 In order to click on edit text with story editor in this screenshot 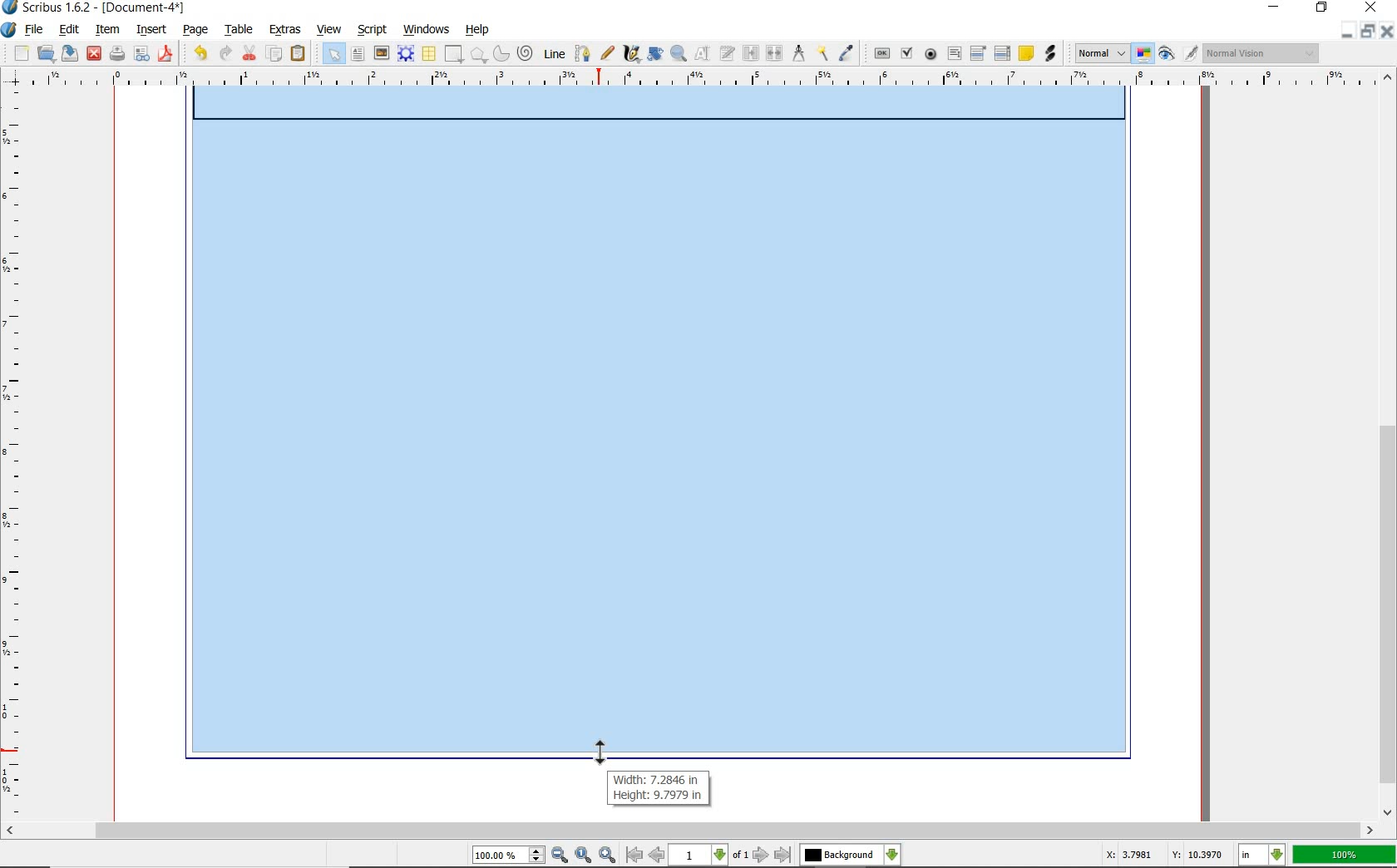, I will do `click(726, 54)`.